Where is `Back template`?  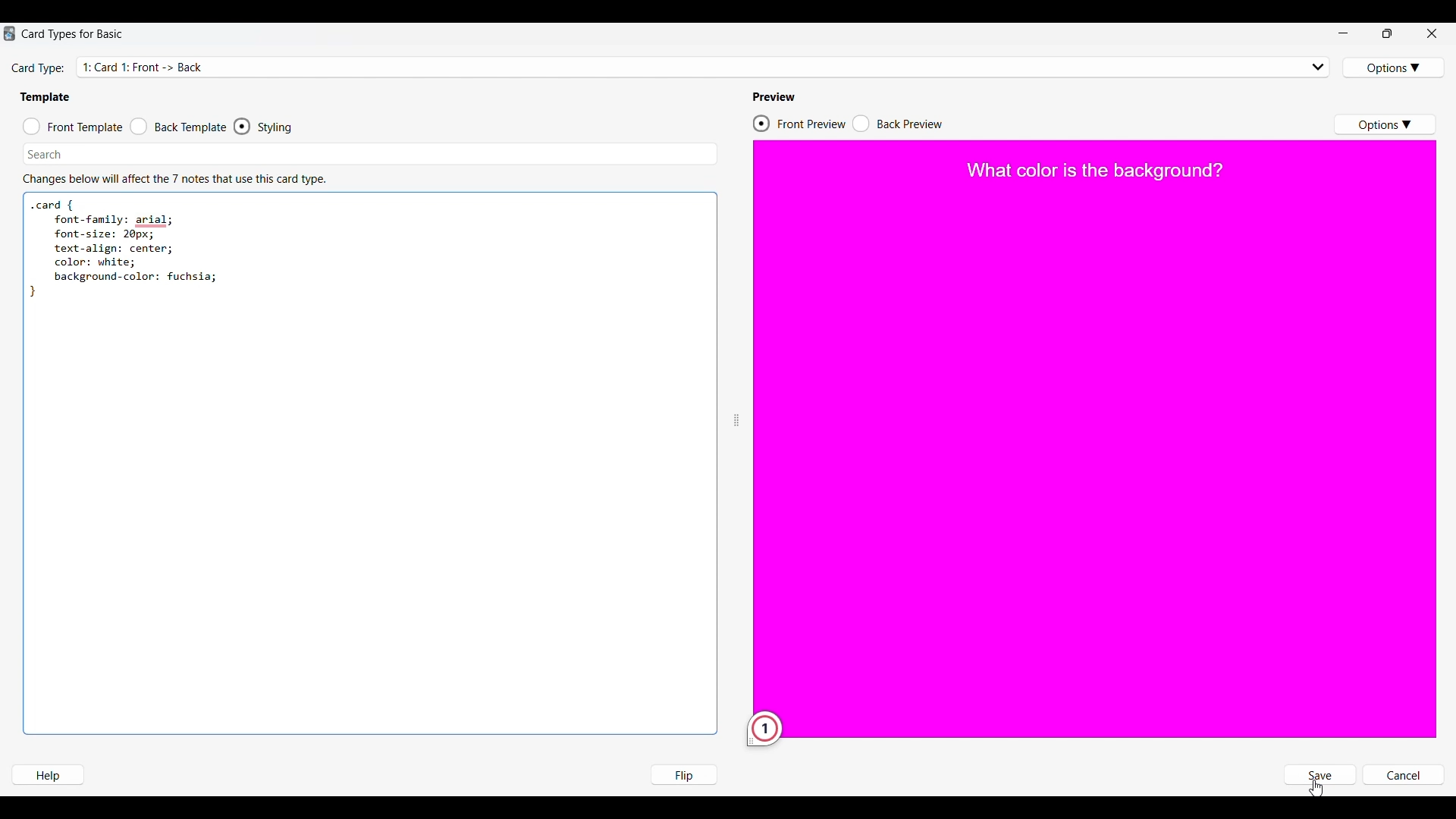
Back template is located at coordinates (178, 127).